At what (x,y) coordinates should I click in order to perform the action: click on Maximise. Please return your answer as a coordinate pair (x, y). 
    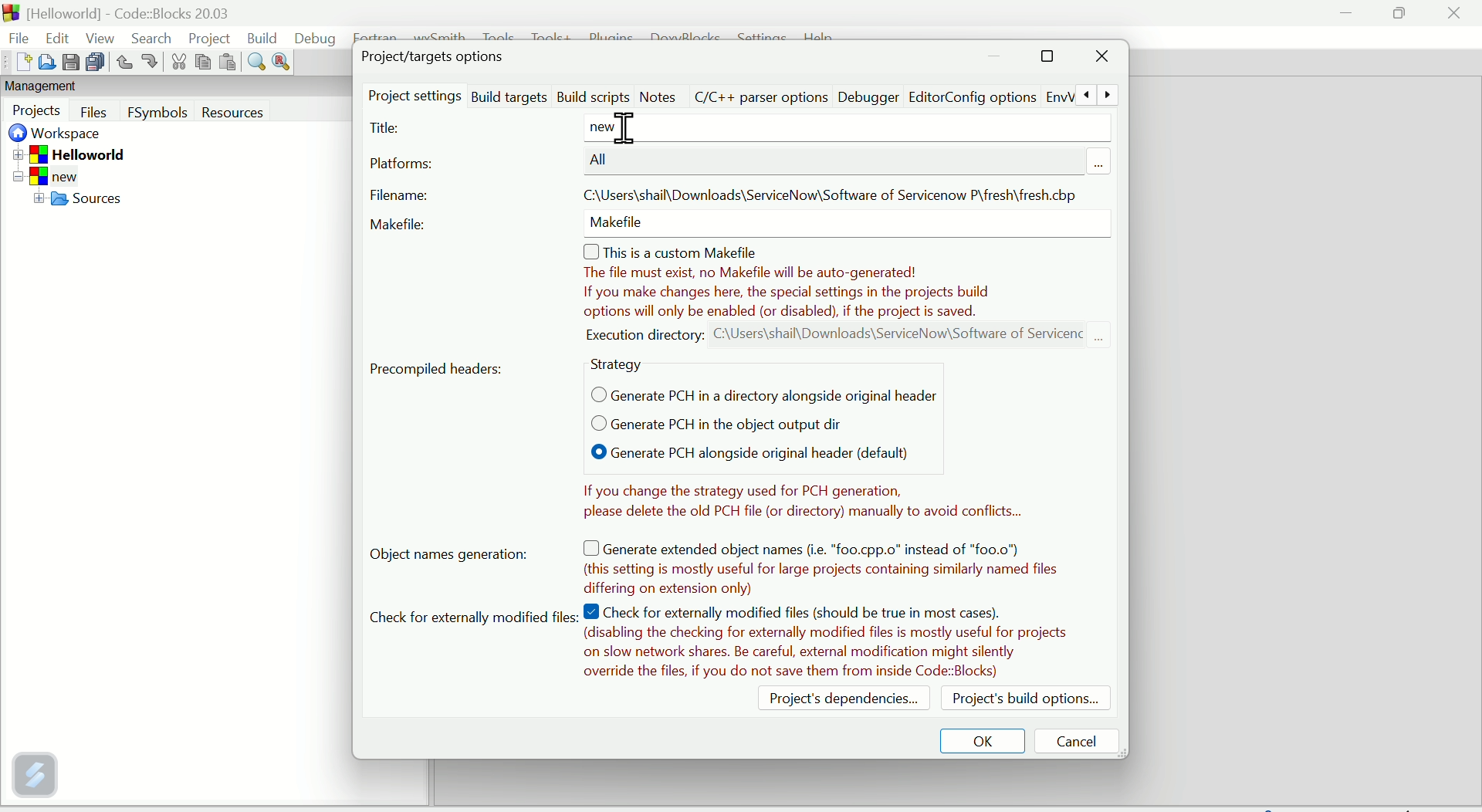
    Looking at the image, I should click on (1402, 14).